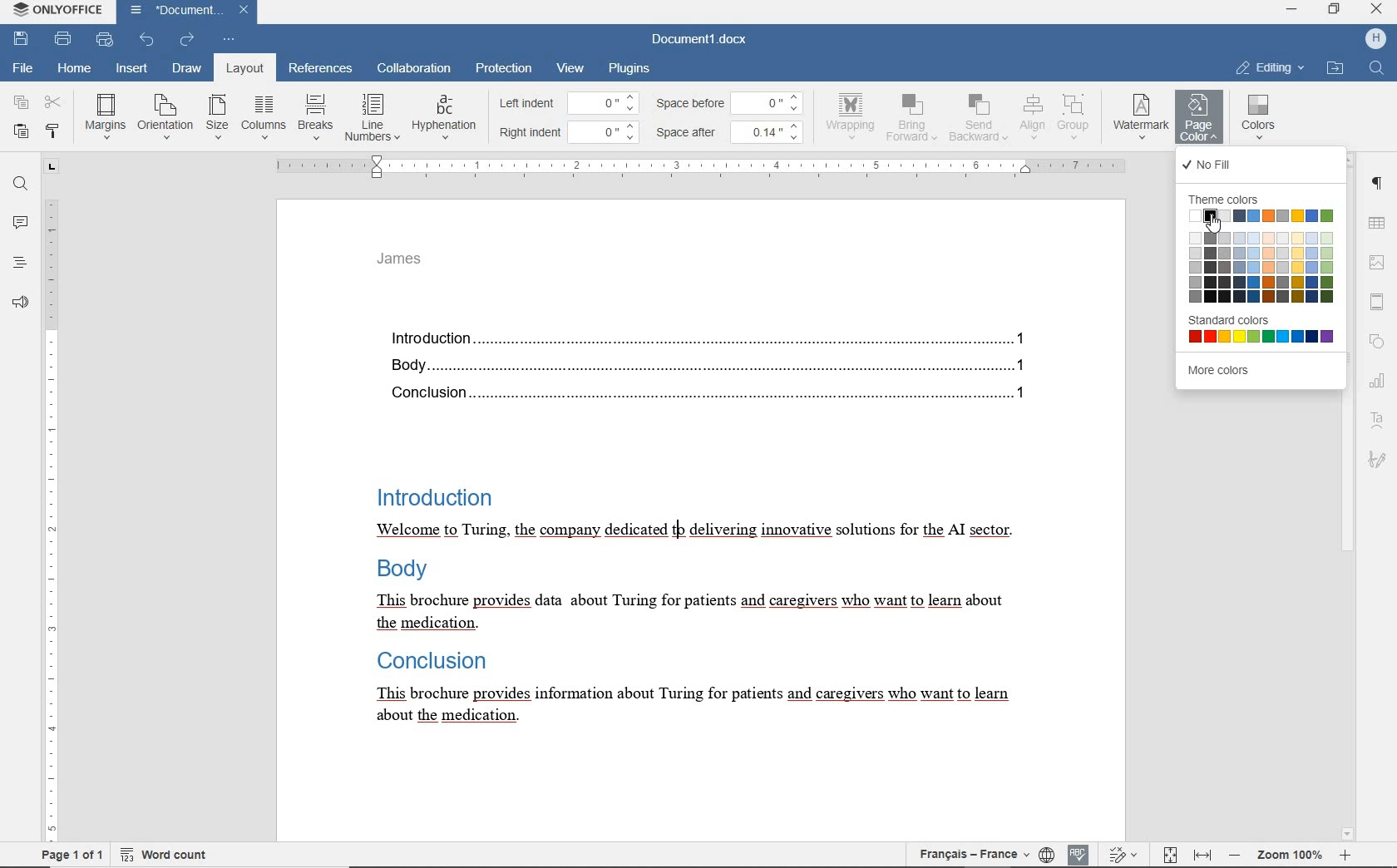 Image resolution: width=1397 pixels, height=868 pixels. I want to click on space before, so click(690, 104).